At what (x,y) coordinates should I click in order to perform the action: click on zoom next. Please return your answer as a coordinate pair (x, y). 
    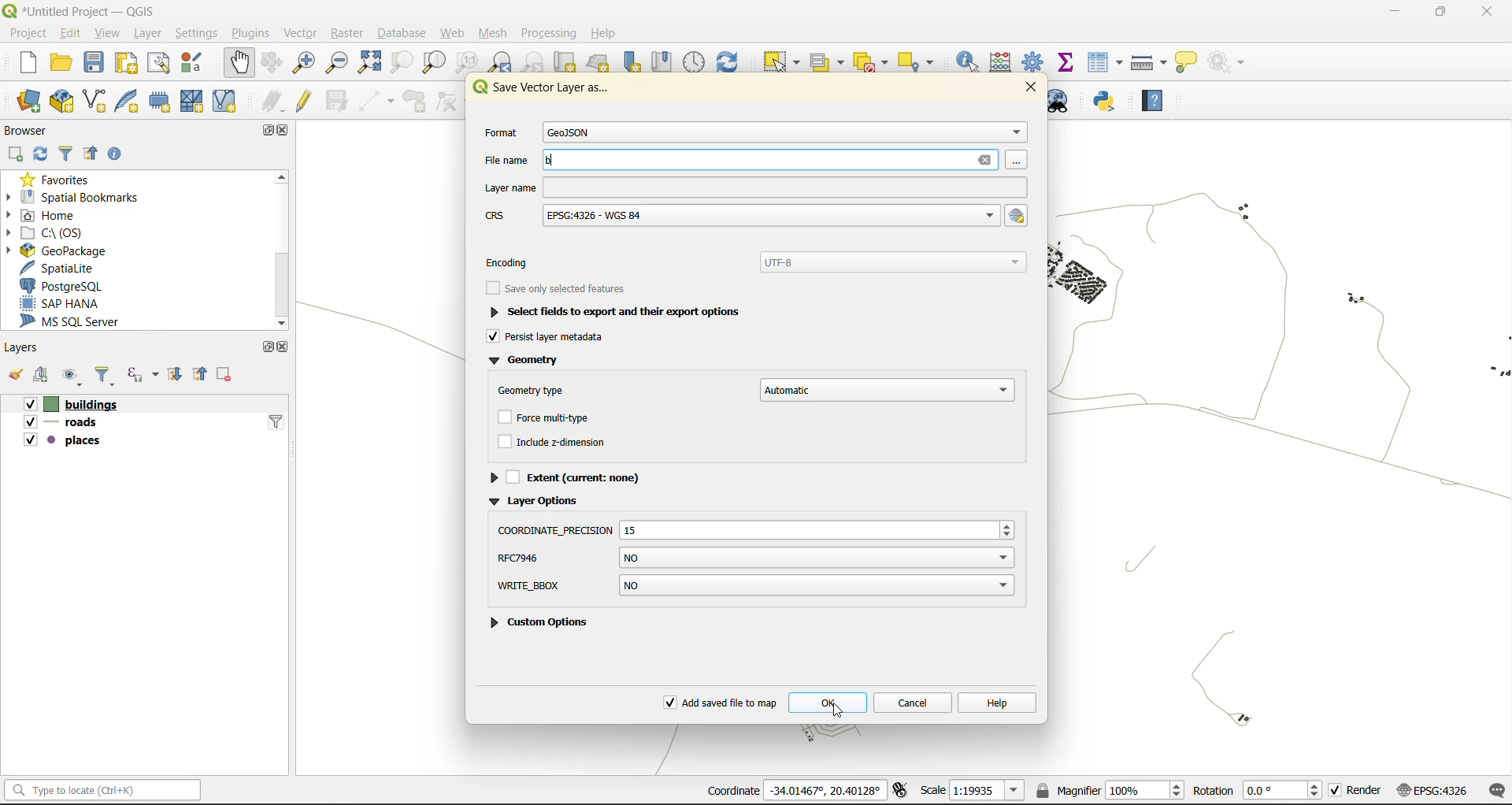
    Looking at the image, I should click on (537, 62).